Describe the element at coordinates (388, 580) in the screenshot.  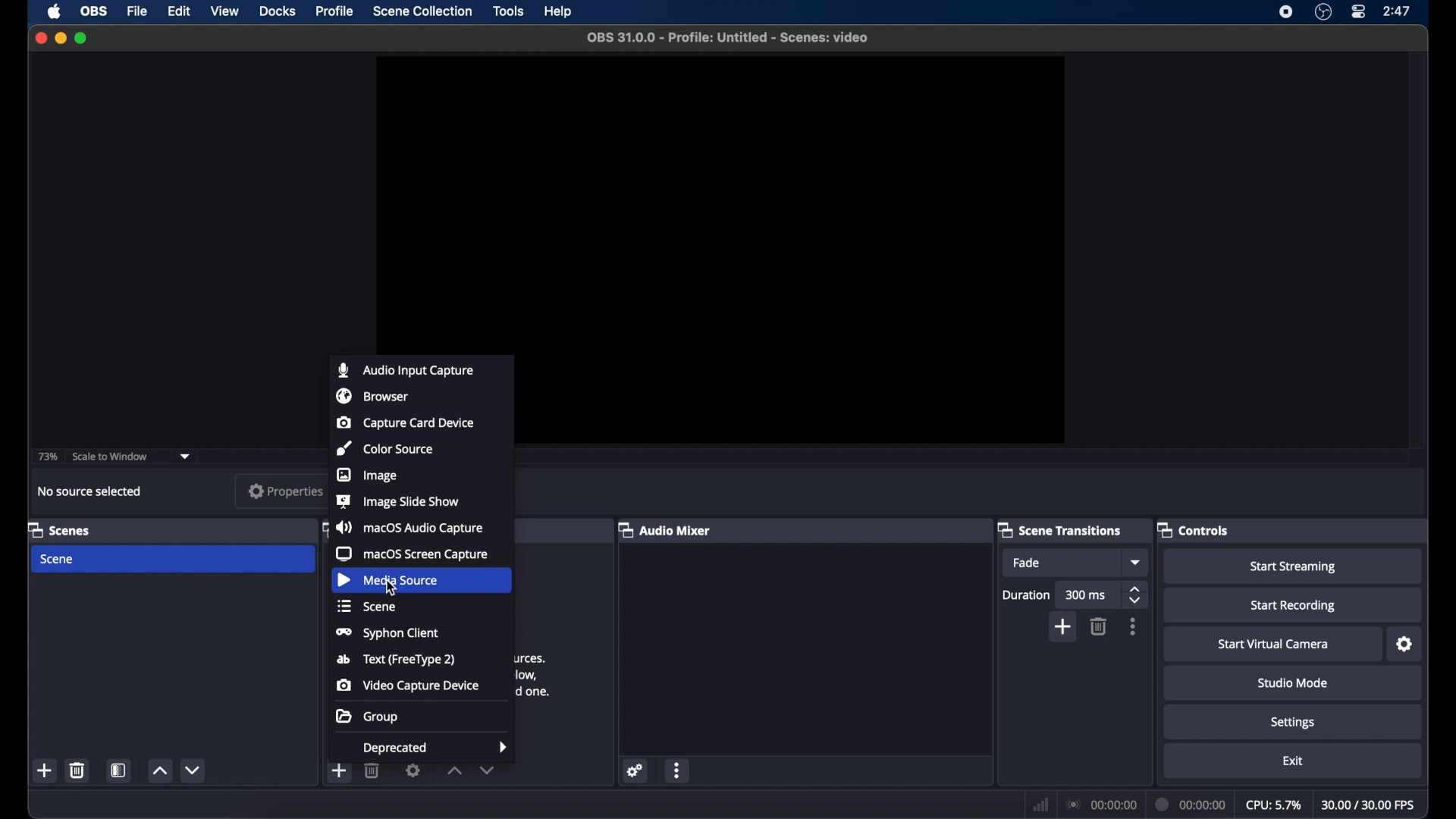
I see `media source` at that location.